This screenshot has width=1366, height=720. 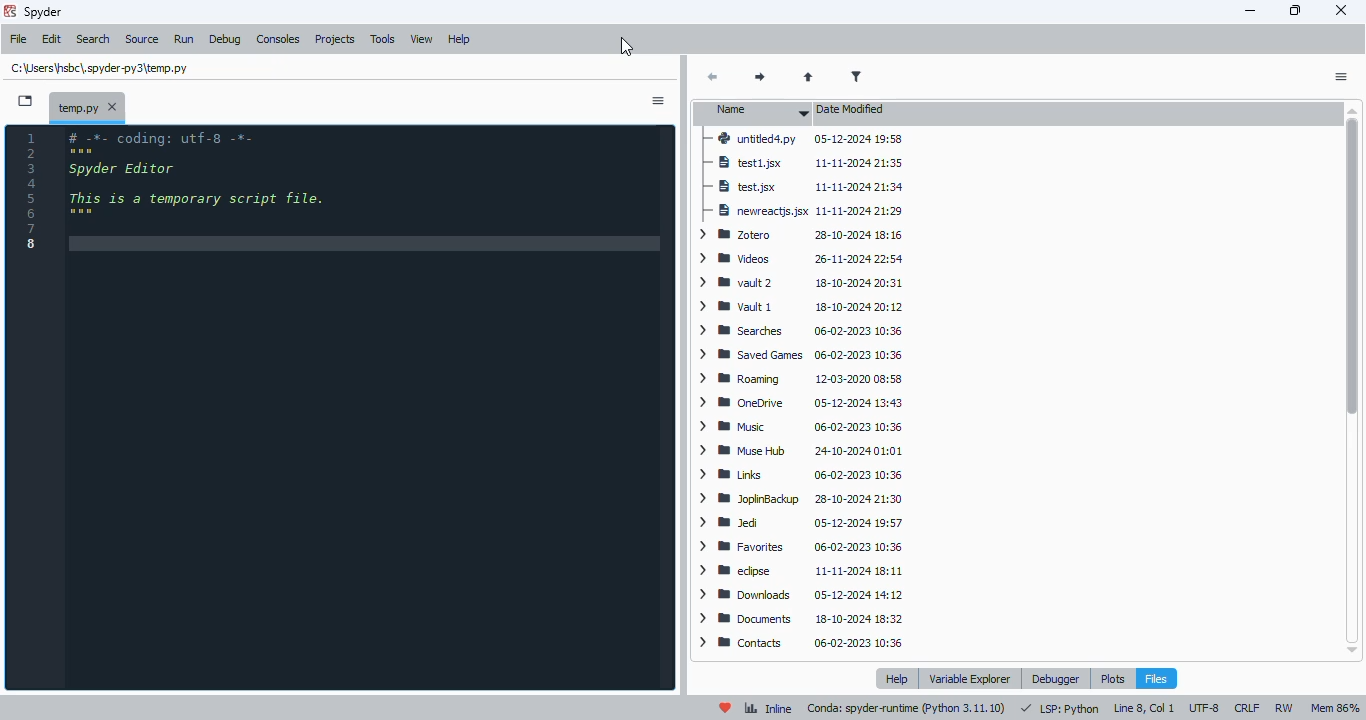 What do you see at coordinates (1113, 677) in the screenshot?
I see `plots` at bounding box center [1113, 677].